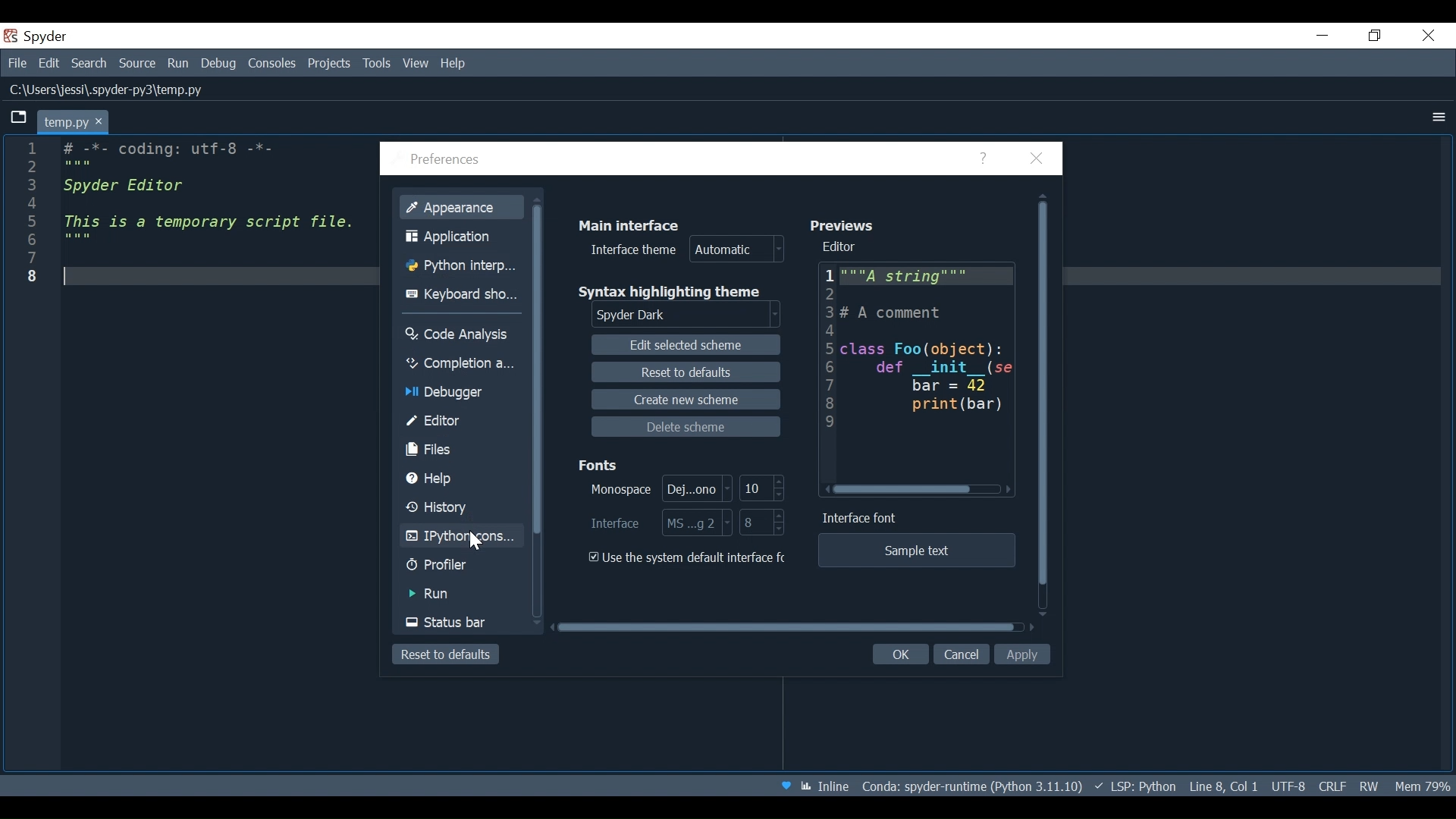 The height and width of the screenshot is (819, 1456). I want to click on File, so click(15, 63).